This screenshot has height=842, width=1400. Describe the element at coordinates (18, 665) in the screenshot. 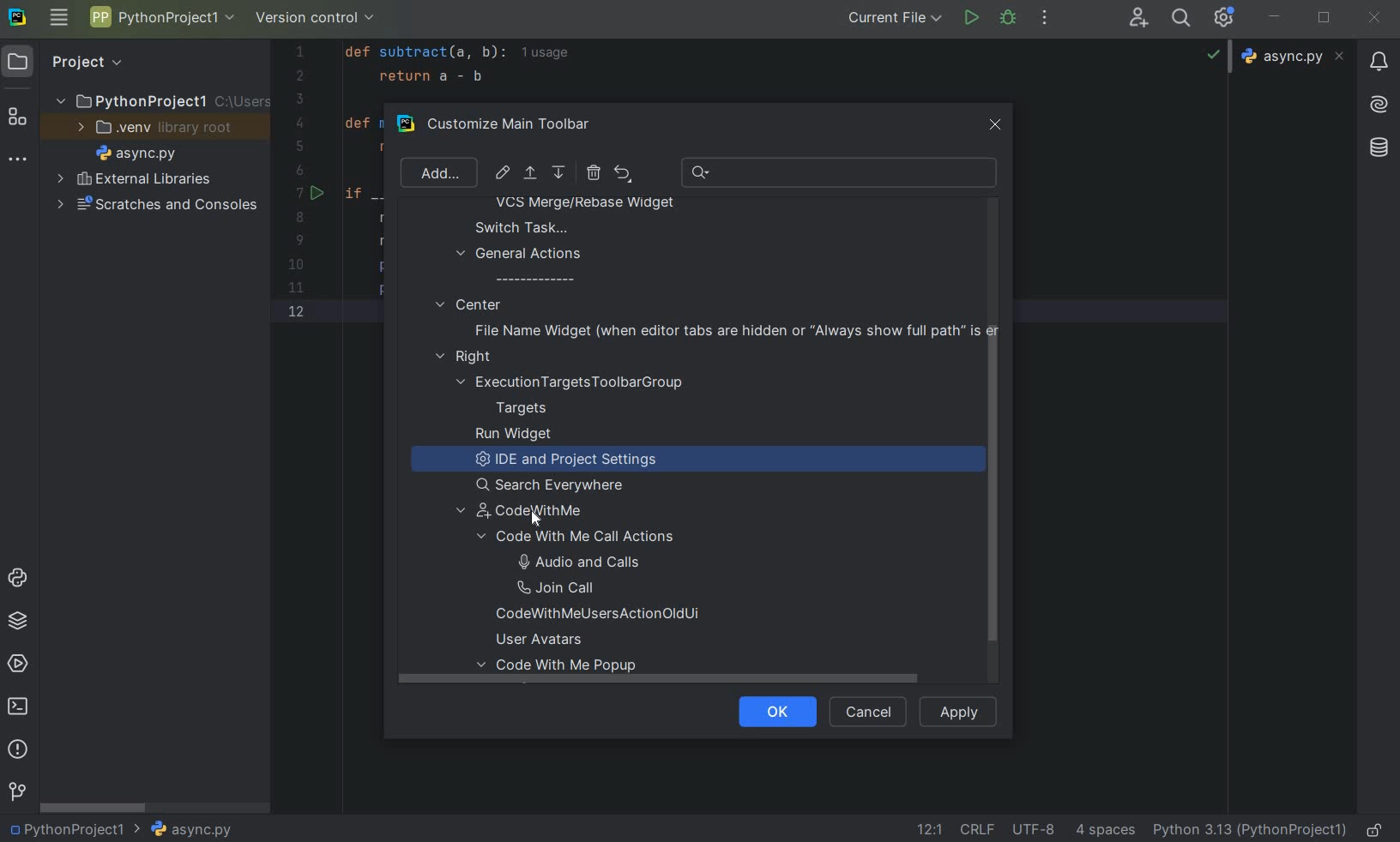

I see `SERVICES` at that location.